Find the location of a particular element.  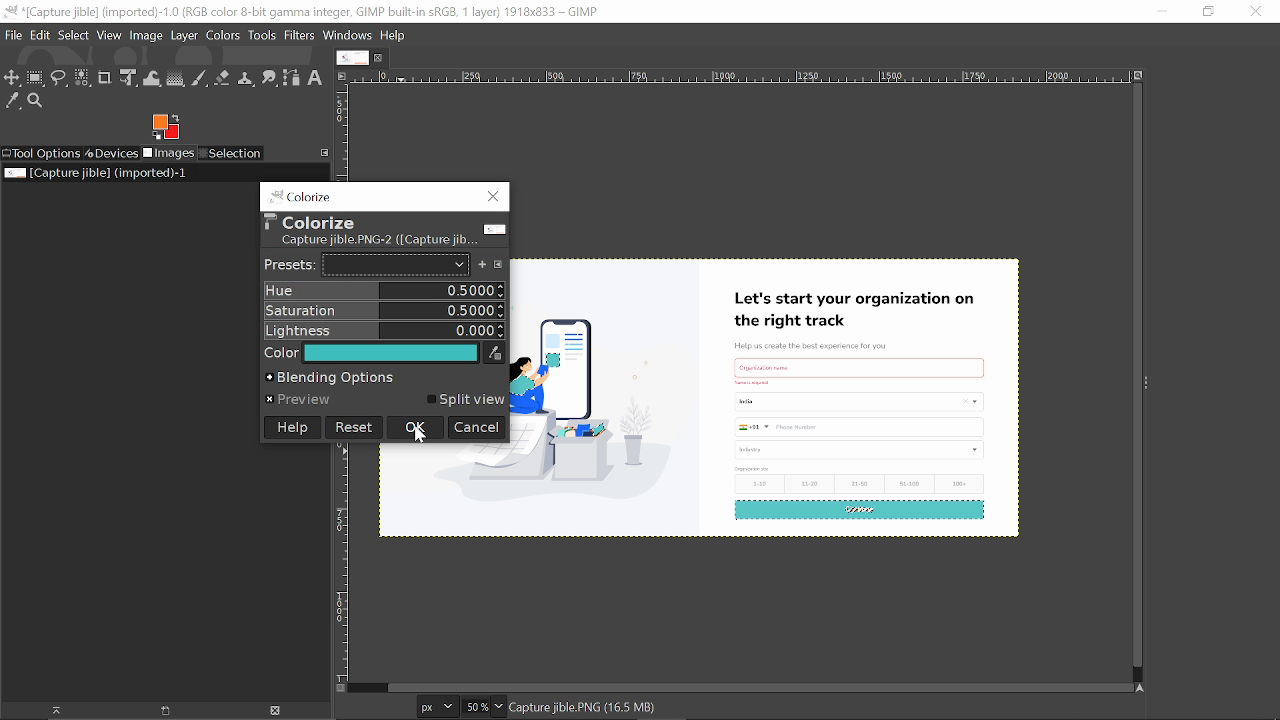

 is located at coordinates (393, 36).